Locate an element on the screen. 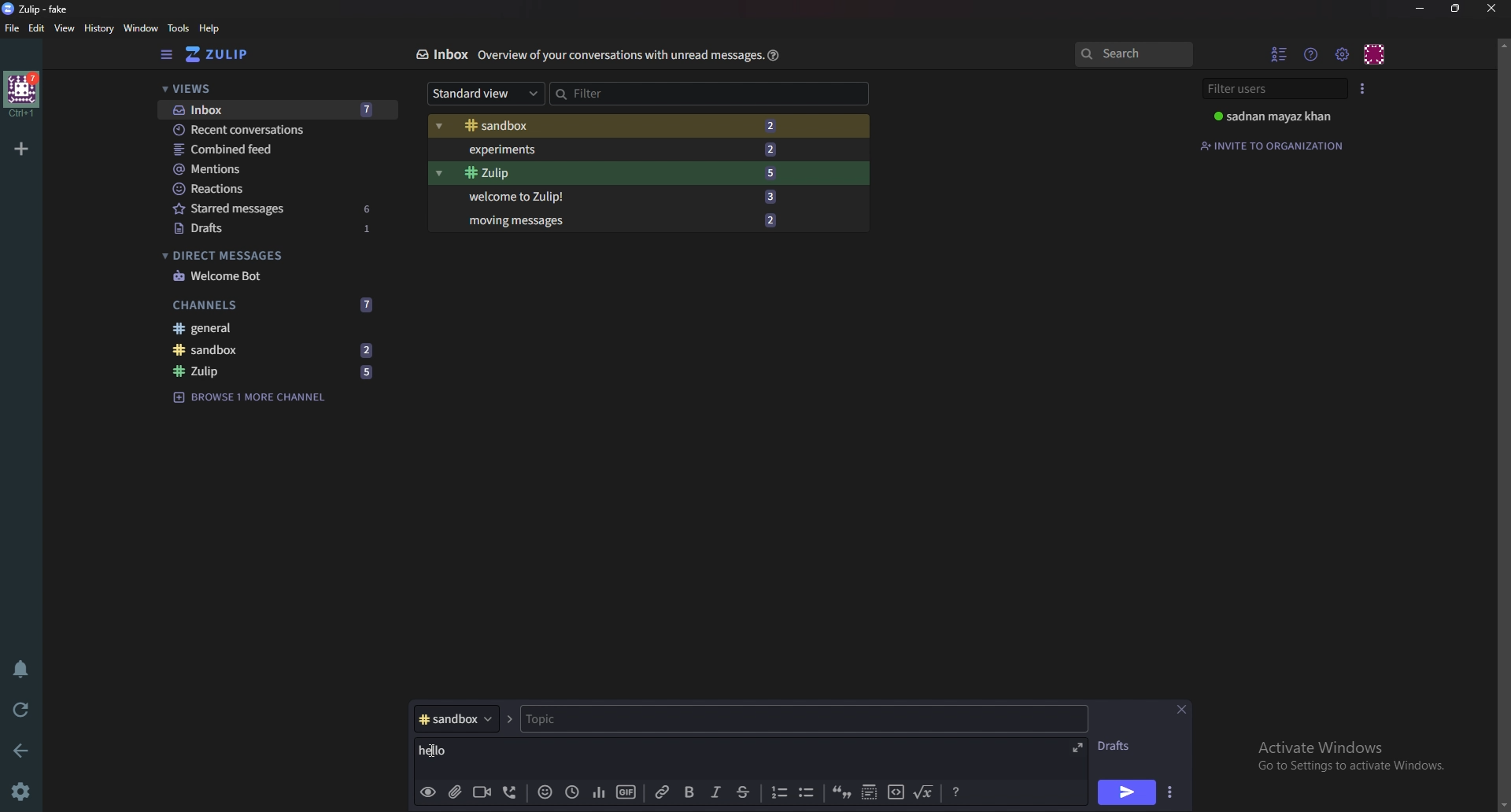  Minimize is located at coordinates (1420, 9).